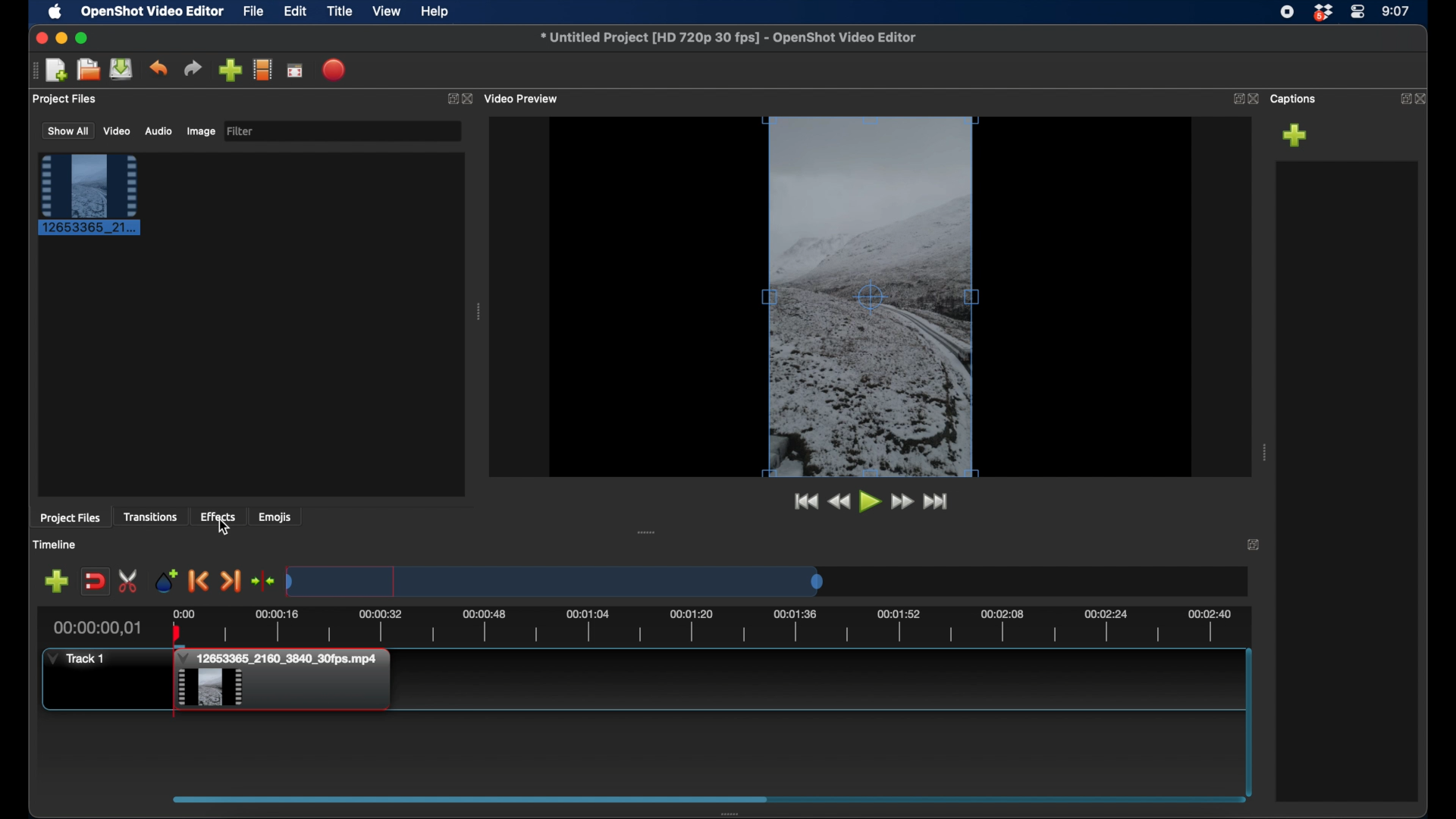  I want to click on drag handle, so click(478, 312).